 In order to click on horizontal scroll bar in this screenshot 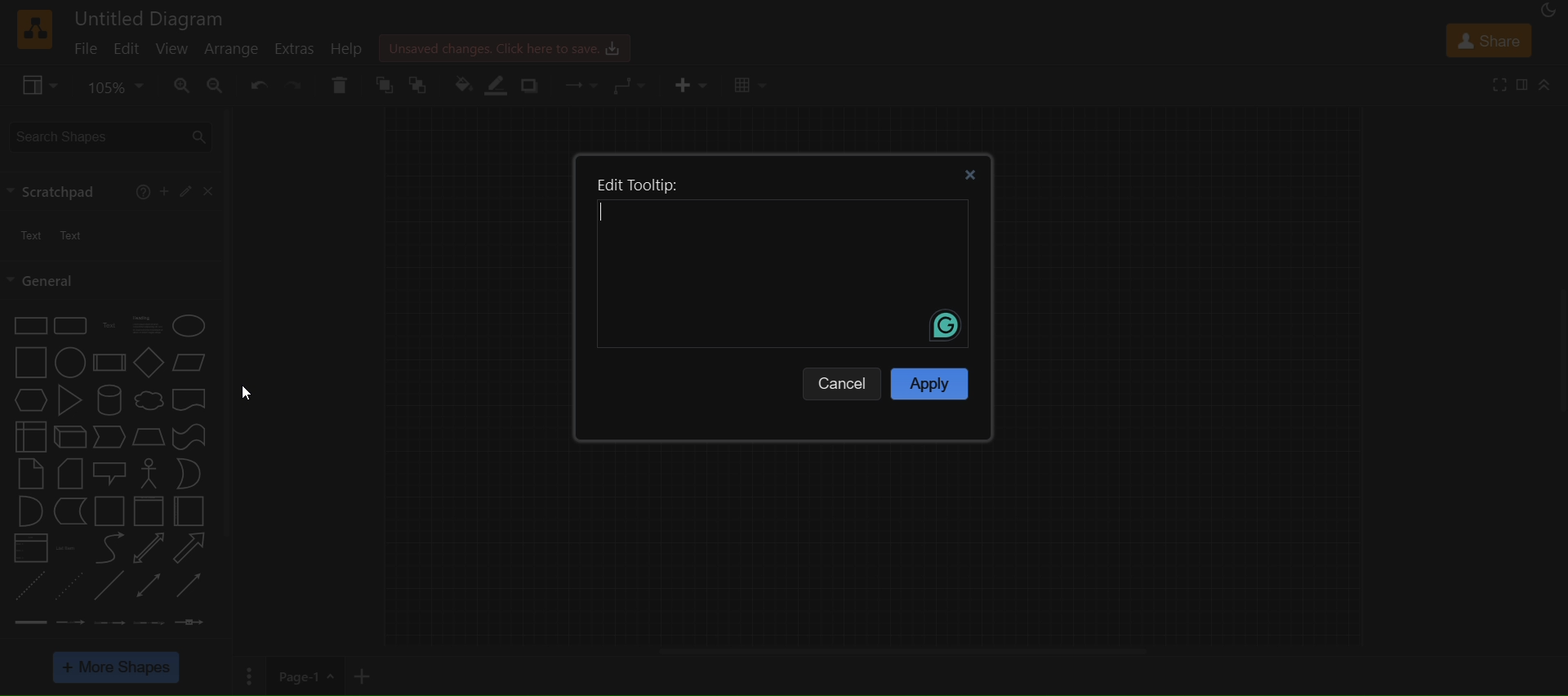, I will do `click(902, 651)`.